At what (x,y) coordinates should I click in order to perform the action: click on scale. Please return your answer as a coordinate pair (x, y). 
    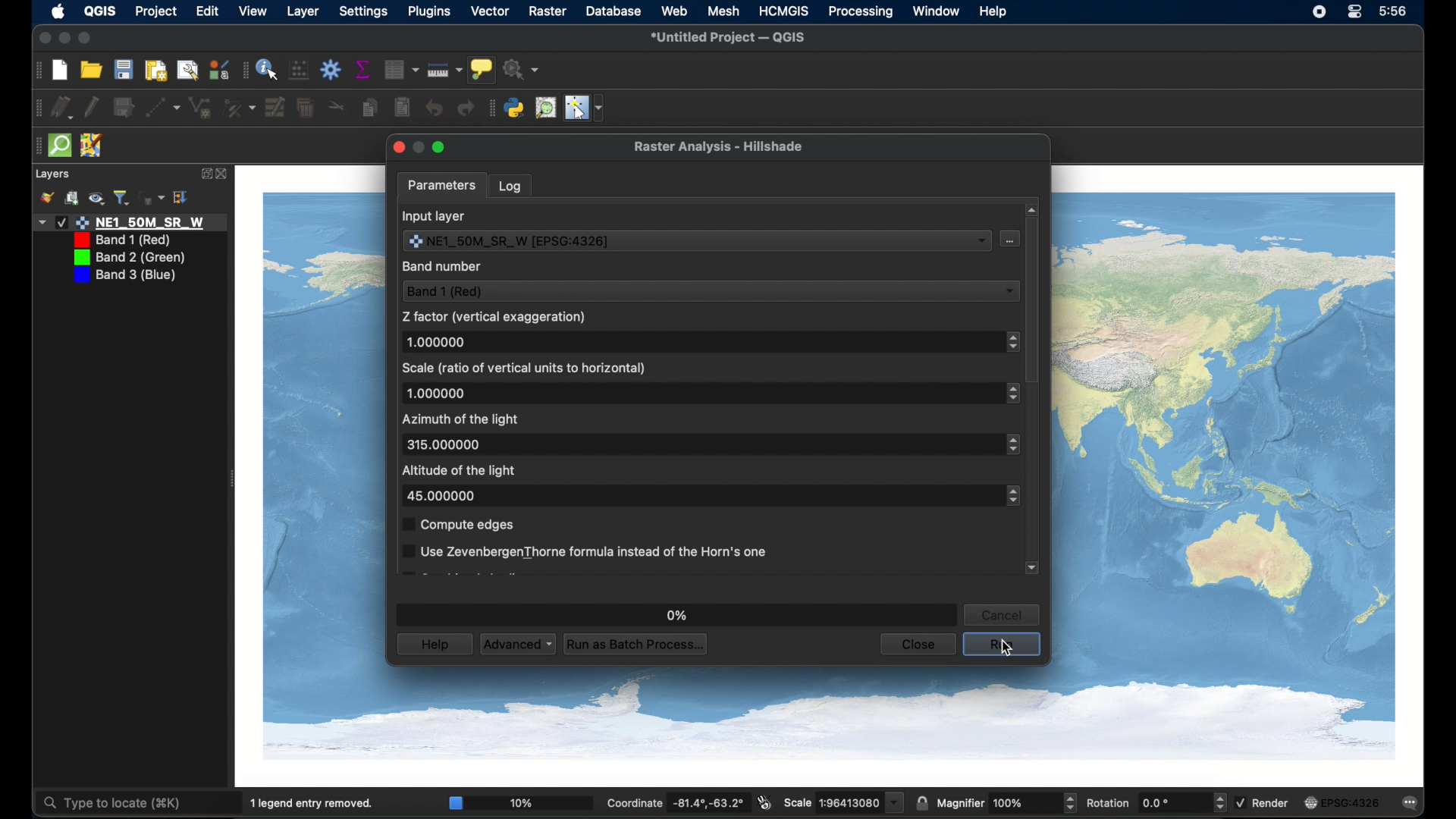
    Looking at the image, I should click on (843, 802).